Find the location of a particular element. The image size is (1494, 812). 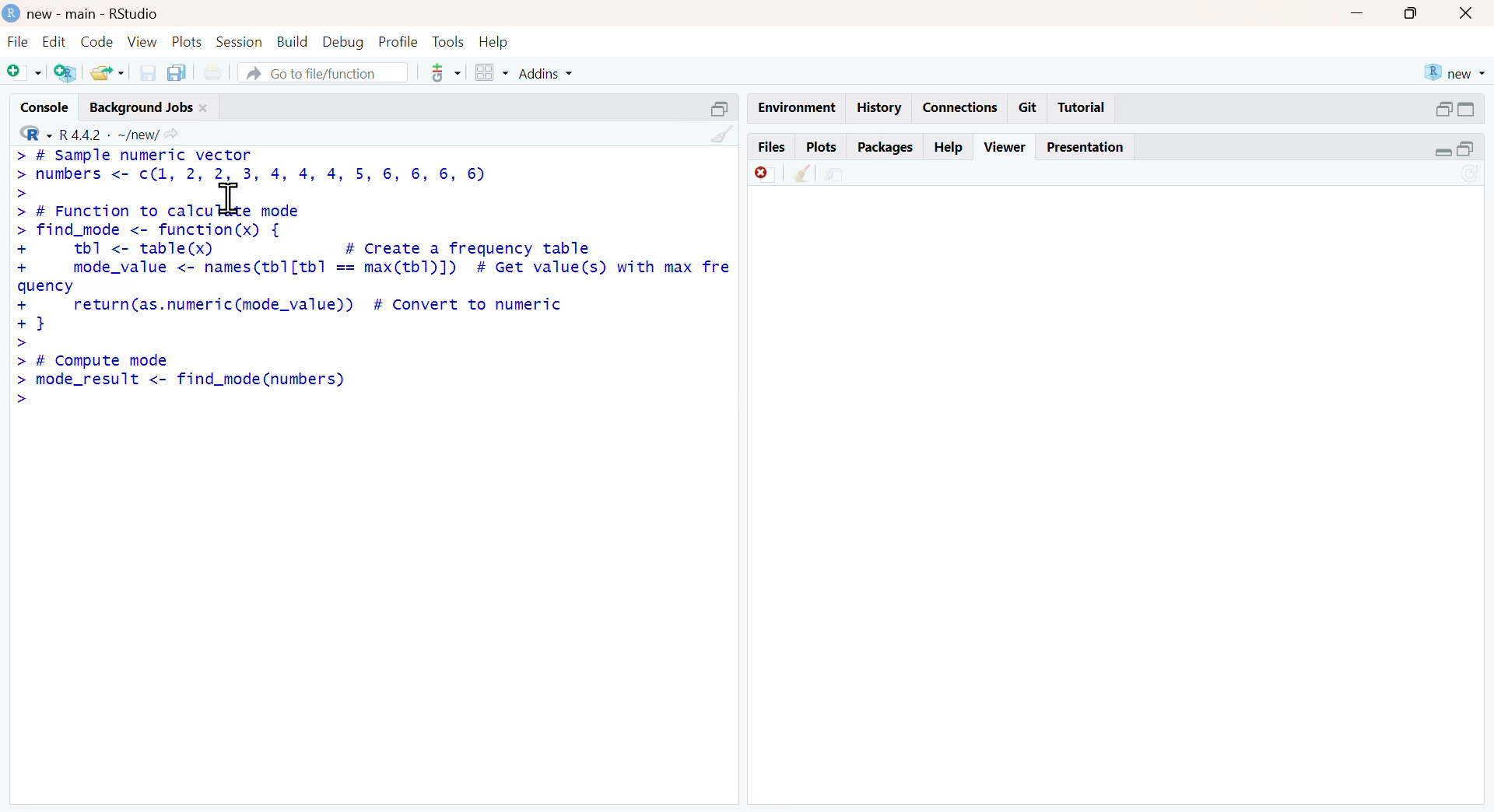

background jobs is located at coordinates (142, 108).